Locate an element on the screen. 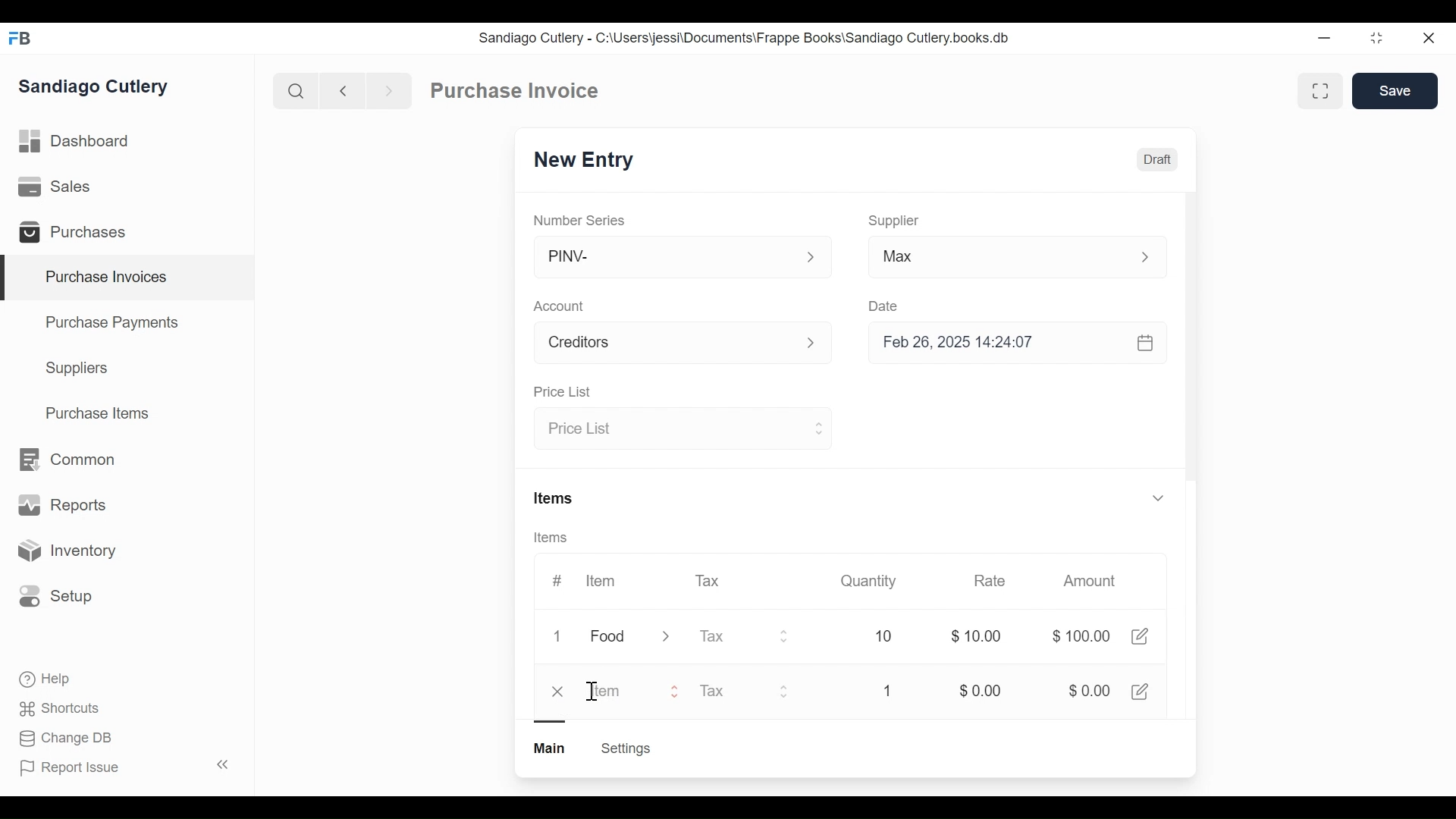 The height and width of the screenshot is (819, 1456). Expand is located at coordinates (1153, 257).